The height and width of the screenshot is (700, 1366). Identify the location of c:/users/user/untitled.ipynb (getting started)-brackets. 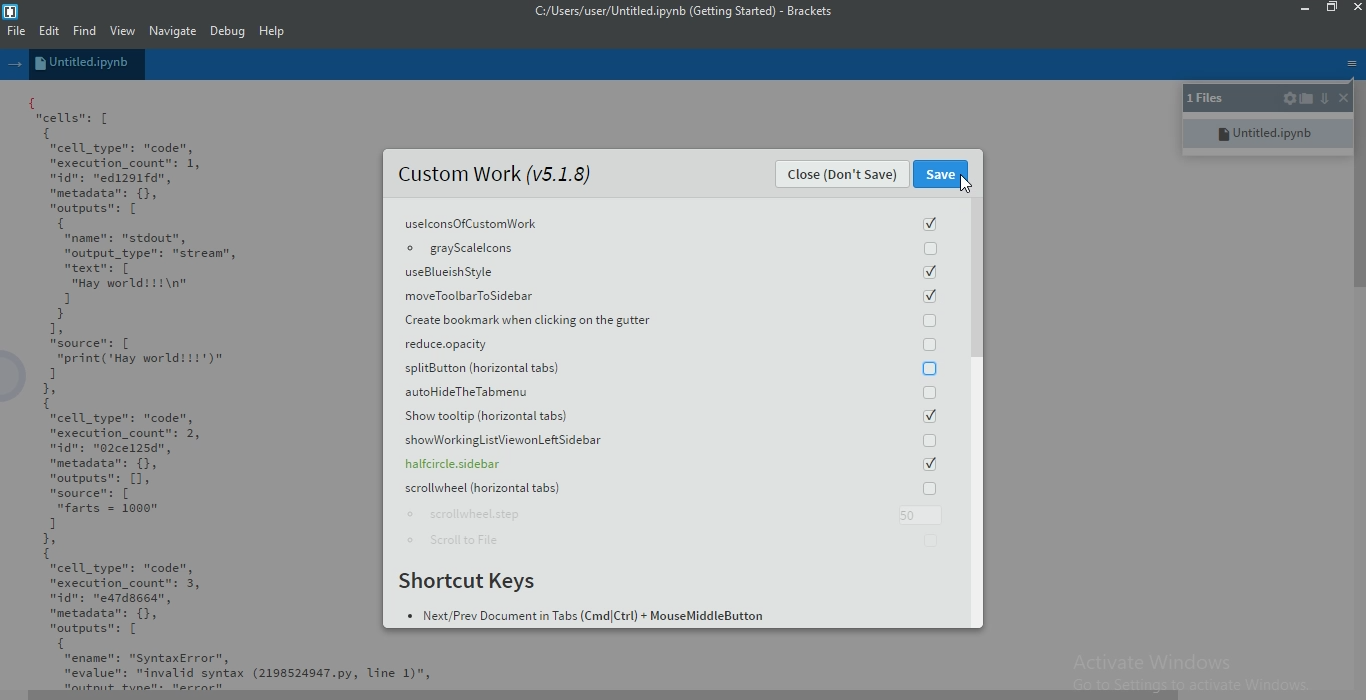
(681, 14).